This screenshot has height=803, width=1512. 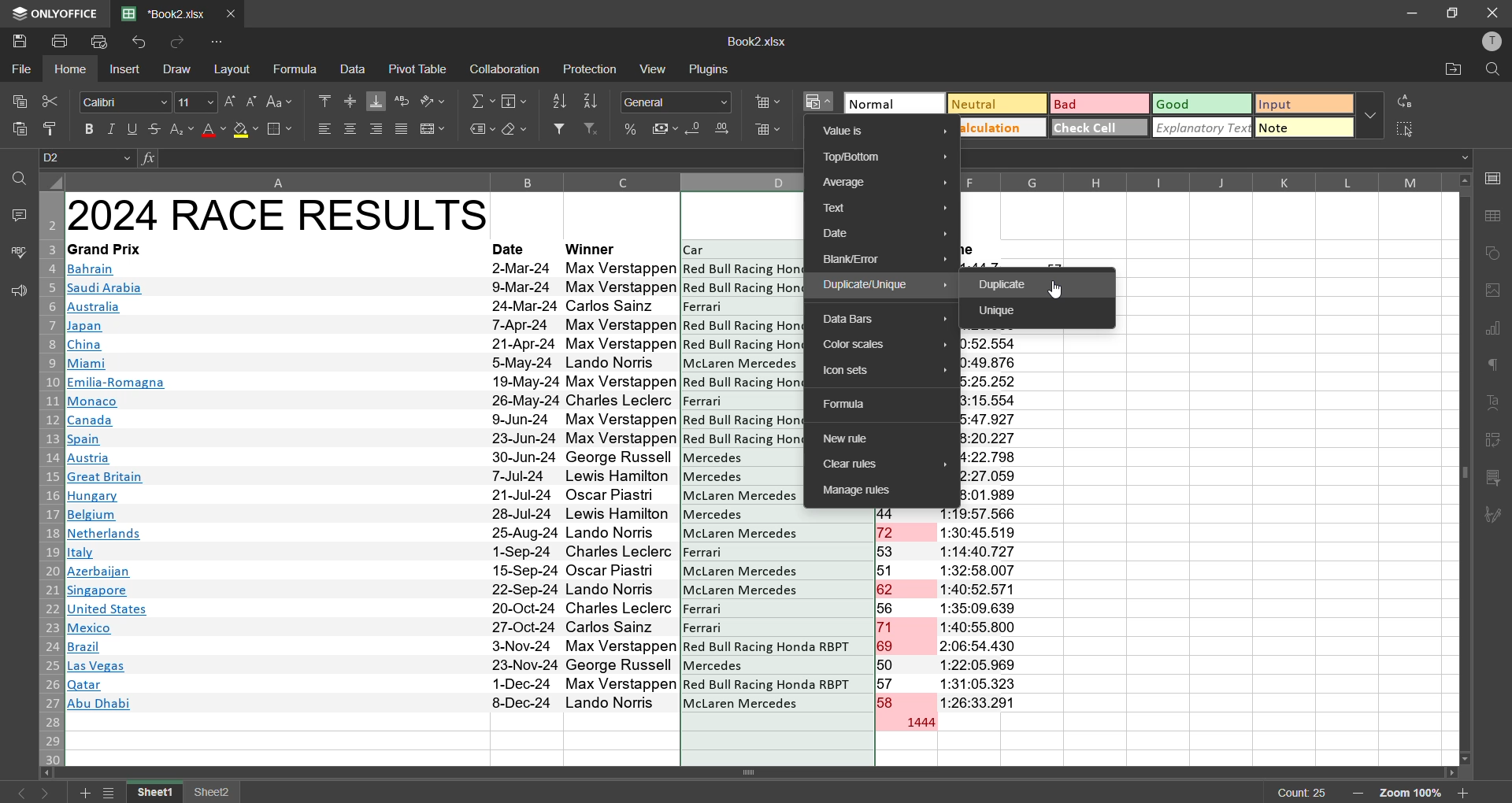 What do you see at coordinates (1203, 128) in the screenshot?
I see `explanatory tex` at bounding box center [1203, 128].